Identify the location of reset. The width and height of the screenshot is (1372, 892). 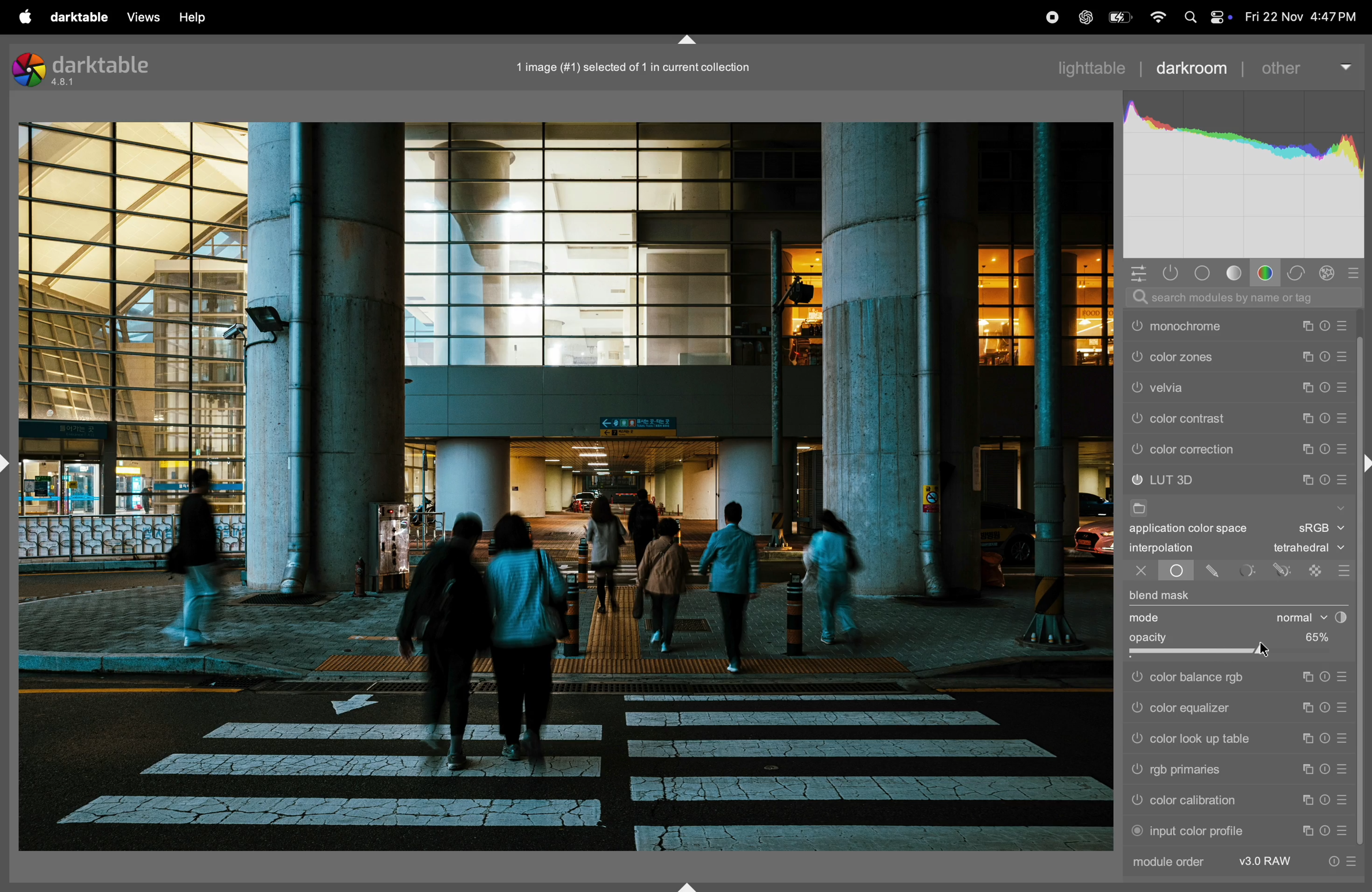
(1325, 770).